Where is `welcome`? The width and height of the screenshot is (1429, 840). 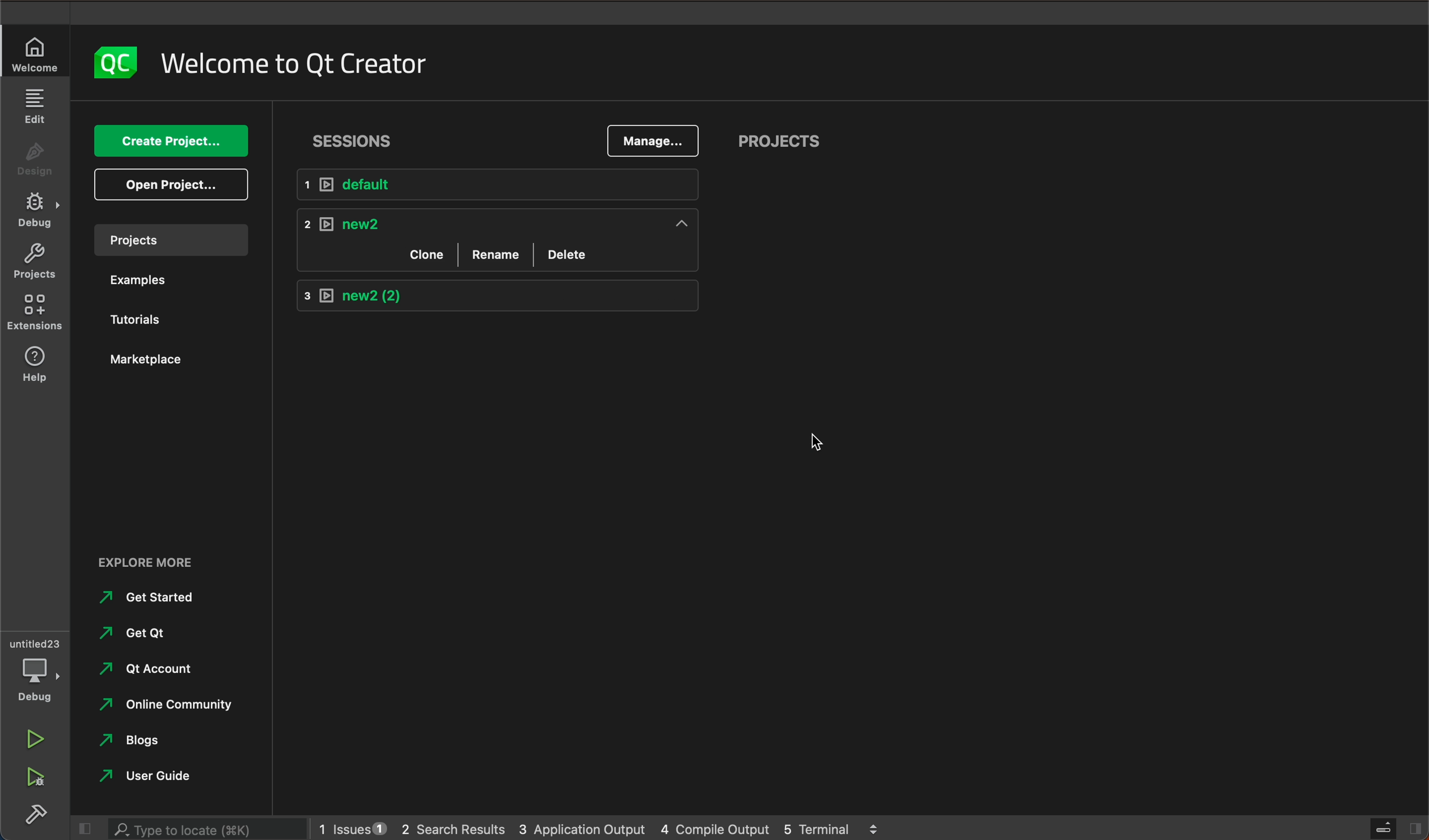
welcome is located at coordinates (33, 55).